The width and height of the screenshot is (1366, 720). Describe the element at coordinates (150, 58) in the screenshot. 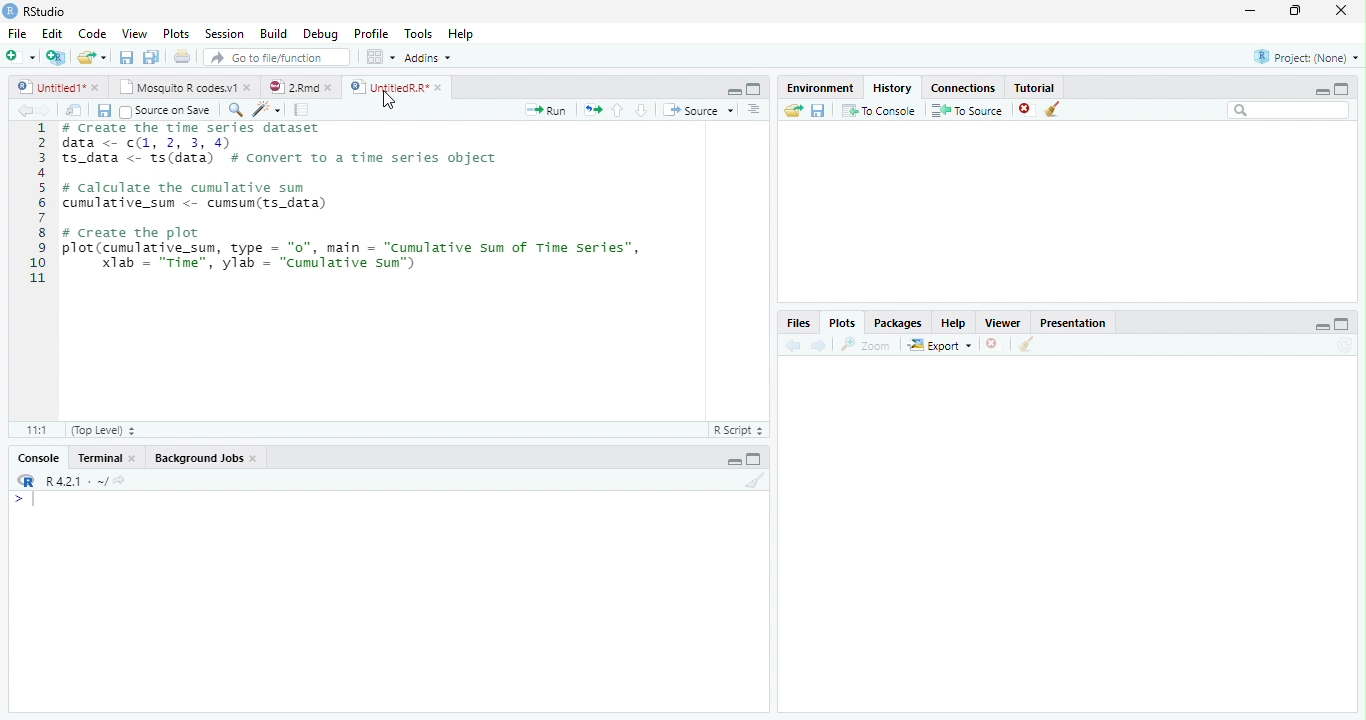

I see `Save all` at that location.